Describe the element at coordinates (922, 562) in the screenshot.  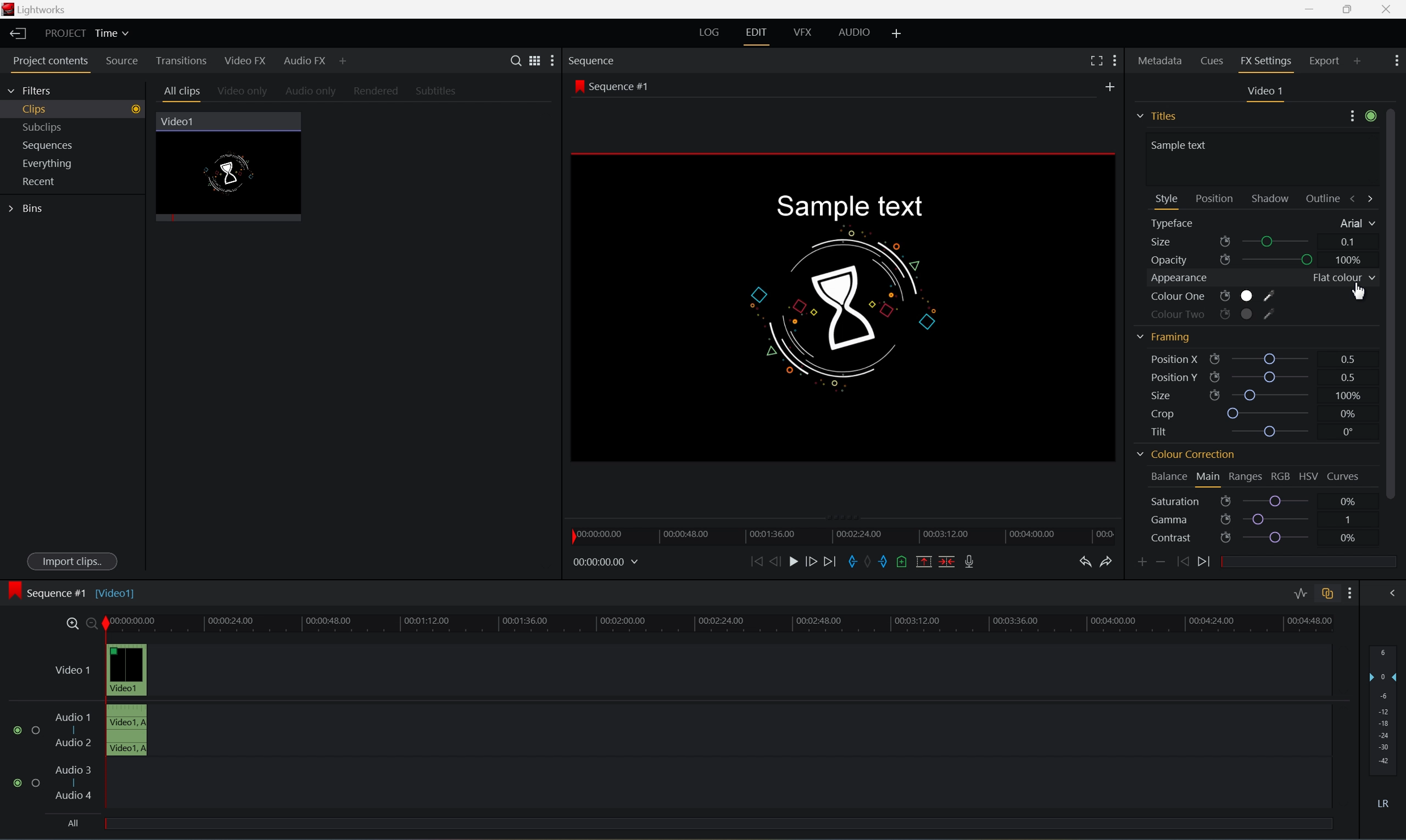
I see `remove the marked section` at that location.